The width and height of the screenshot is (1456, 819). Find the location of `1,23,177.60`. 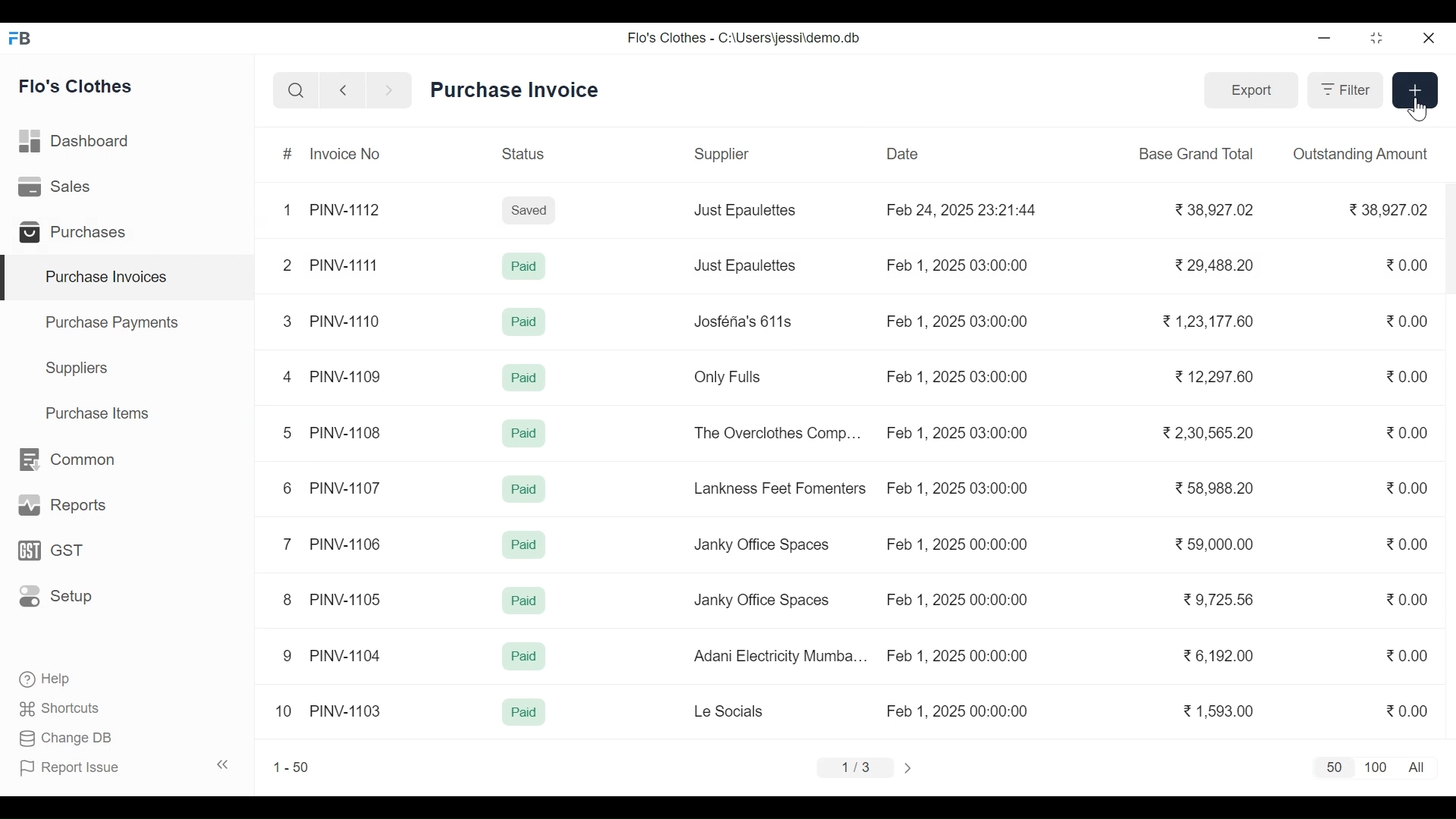

1,23,177.60 is located at coordinates (1208, 321).